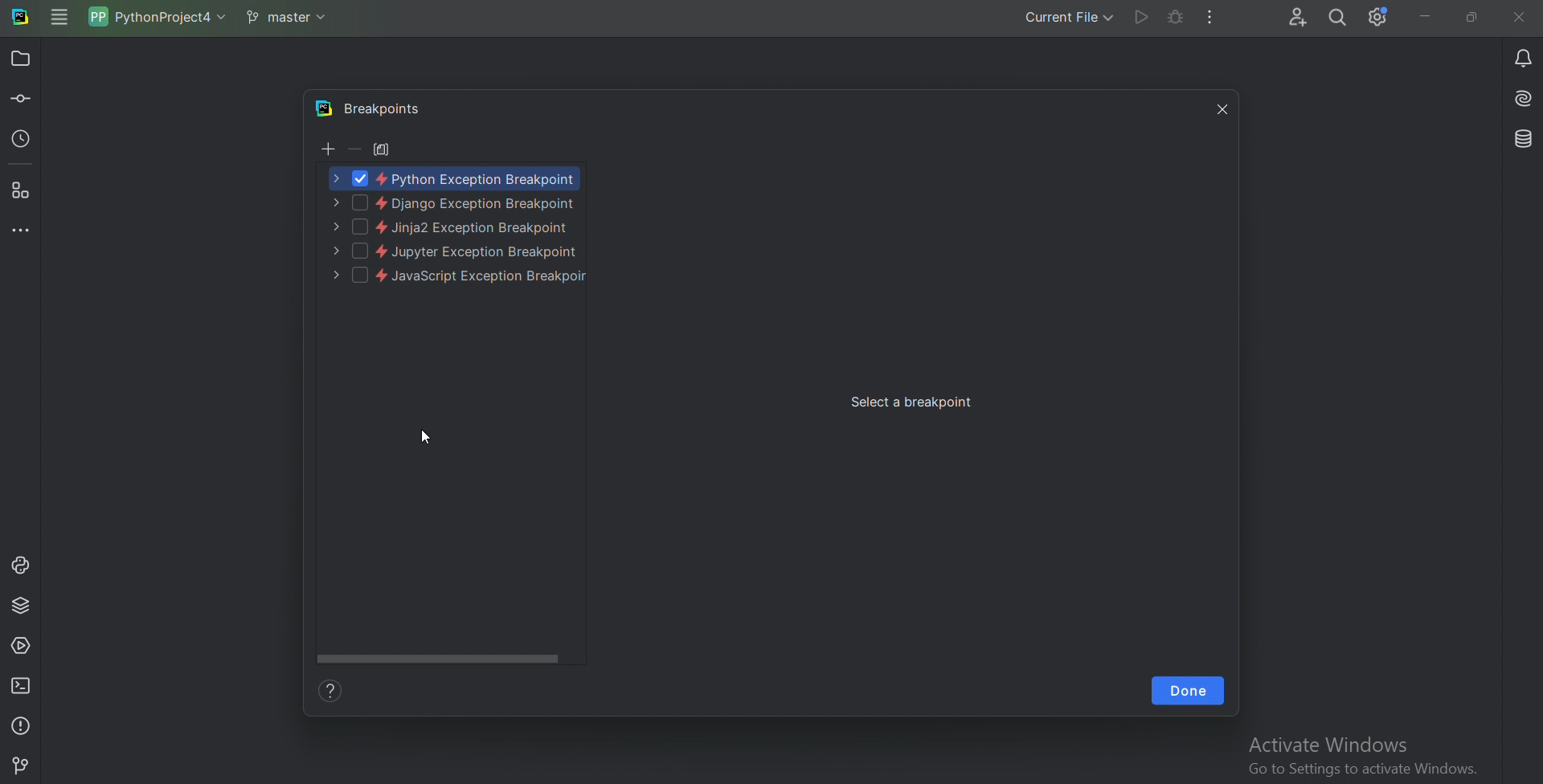 The height and width of the screenshot is (784, 1543). I want to click on Django Exception Breakpoint, so click(456, 203).